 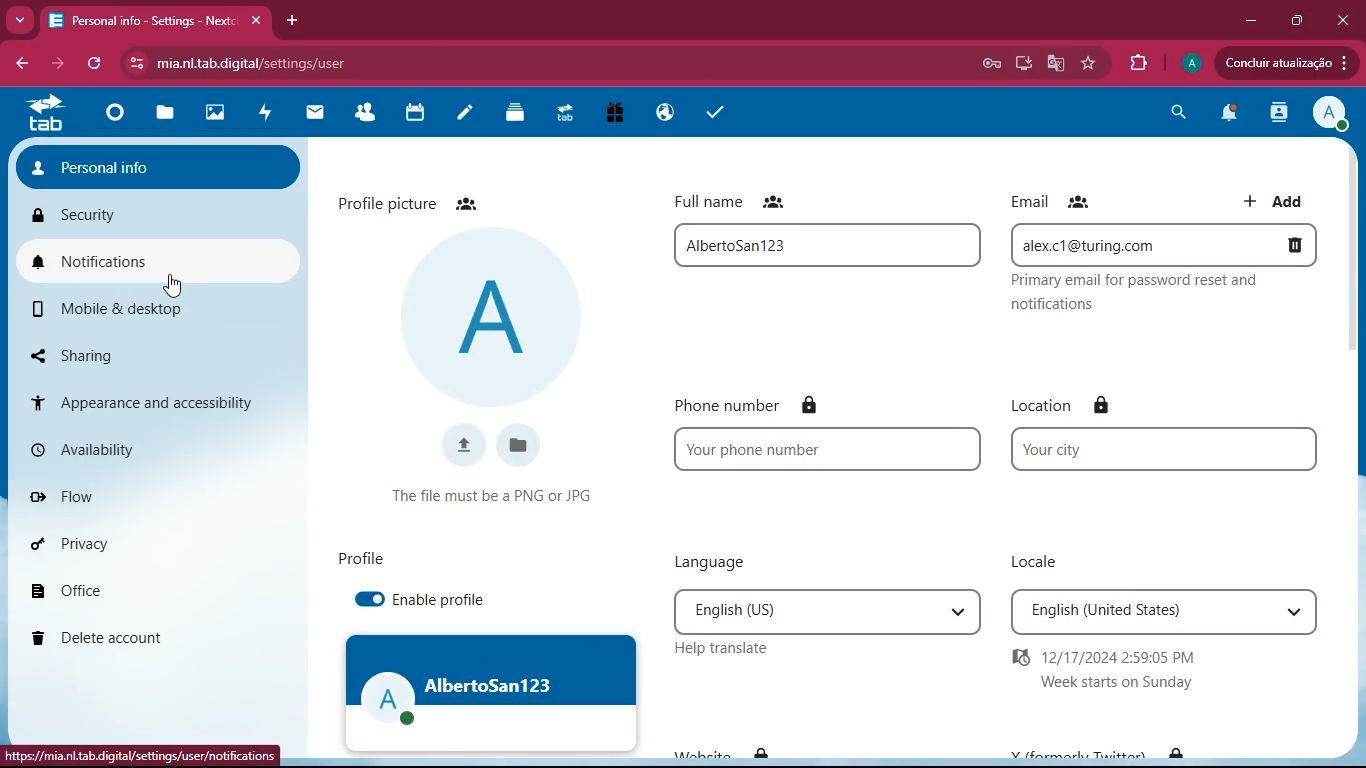 What do you see at coordinates (1250, 21) in the screenshot?
I see `minimize` at bounding box center [1250, 21].